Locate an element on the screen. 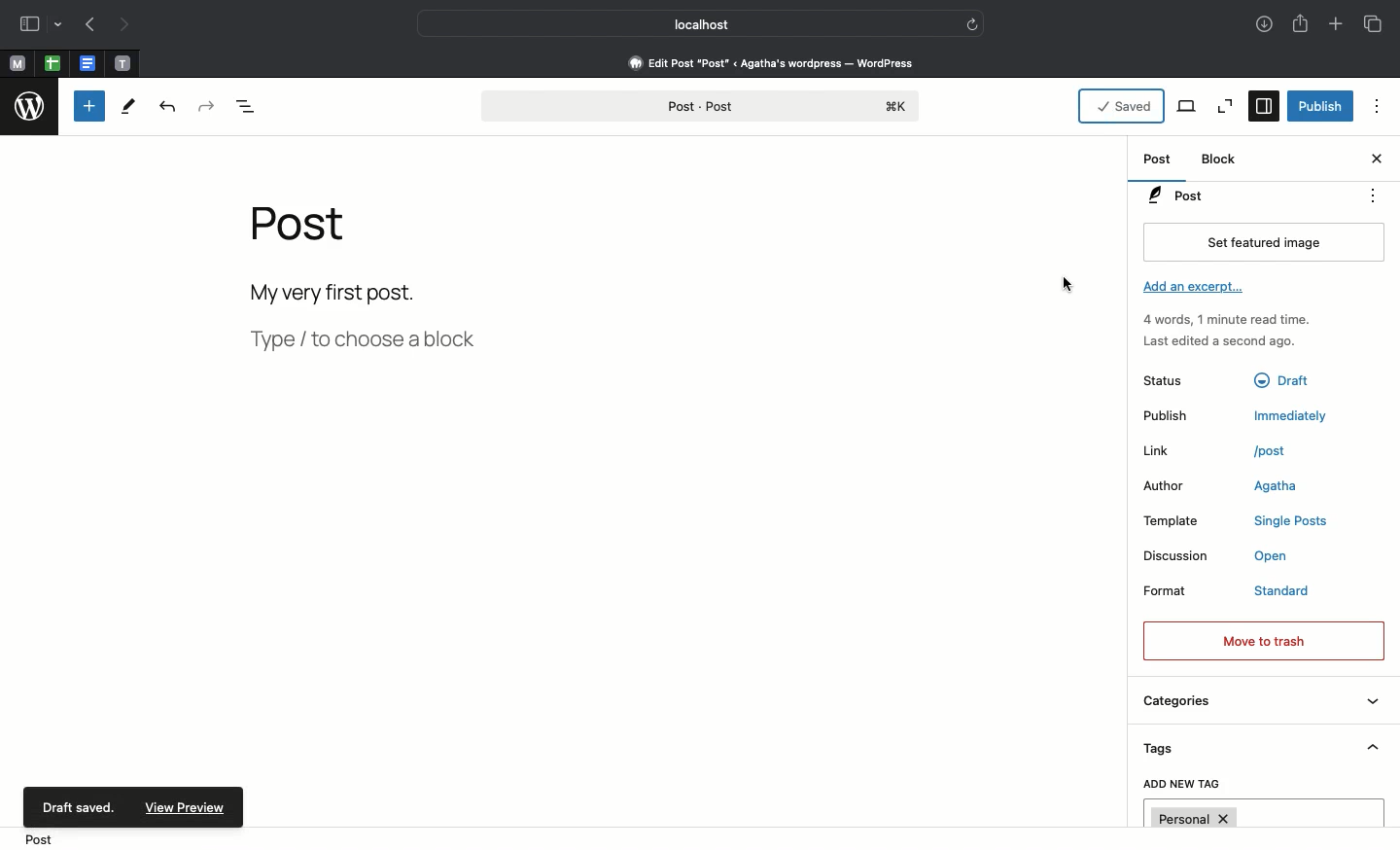 This screenshot has width=1400, height=850. Edit post is located at coordinates (784, 62).